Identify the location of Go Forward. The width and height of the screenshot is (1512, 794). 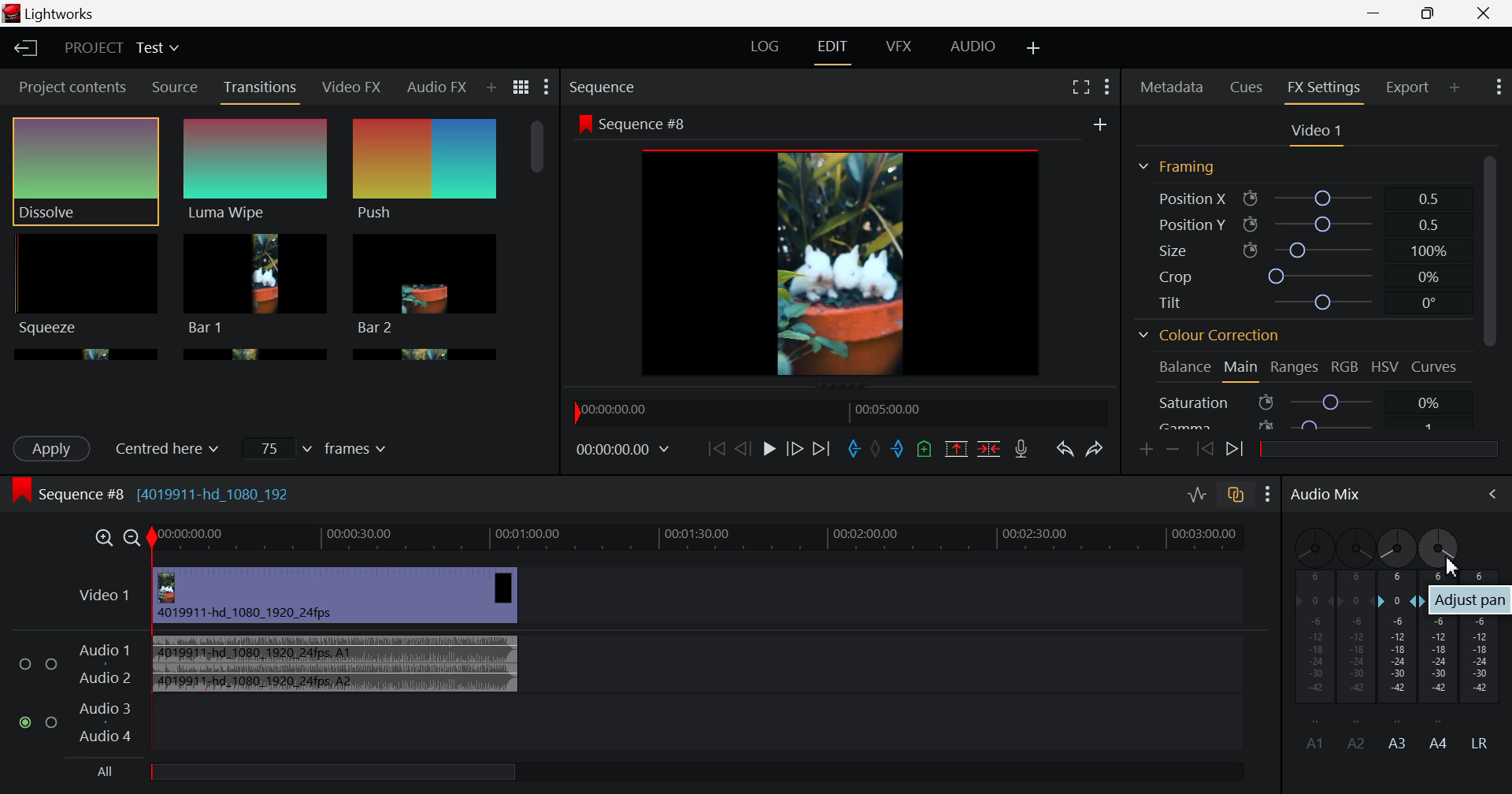
(795, 448).